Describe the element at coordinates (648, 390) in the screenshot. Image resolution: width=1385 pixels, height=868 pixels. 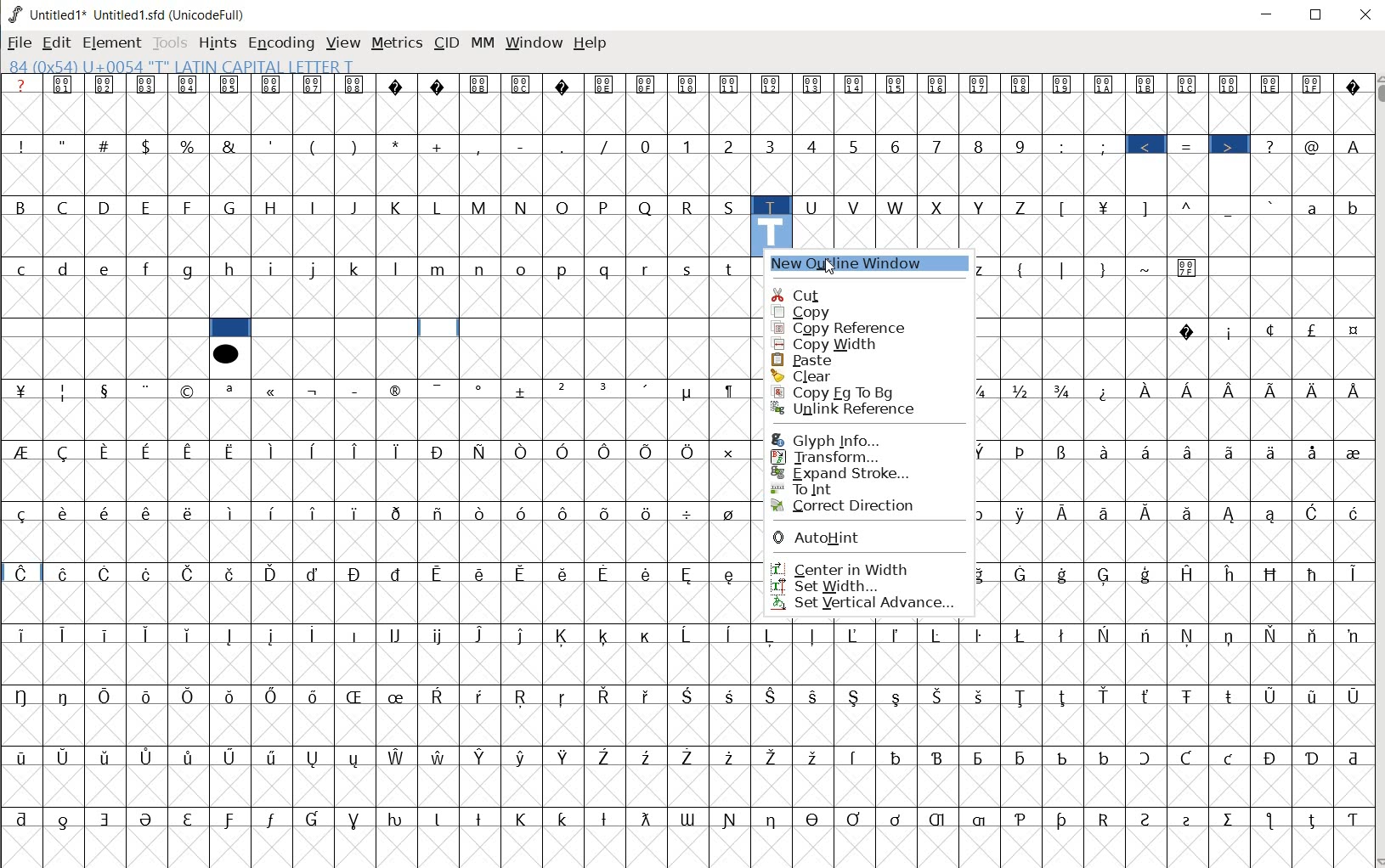
I see `Symbol` at that location.